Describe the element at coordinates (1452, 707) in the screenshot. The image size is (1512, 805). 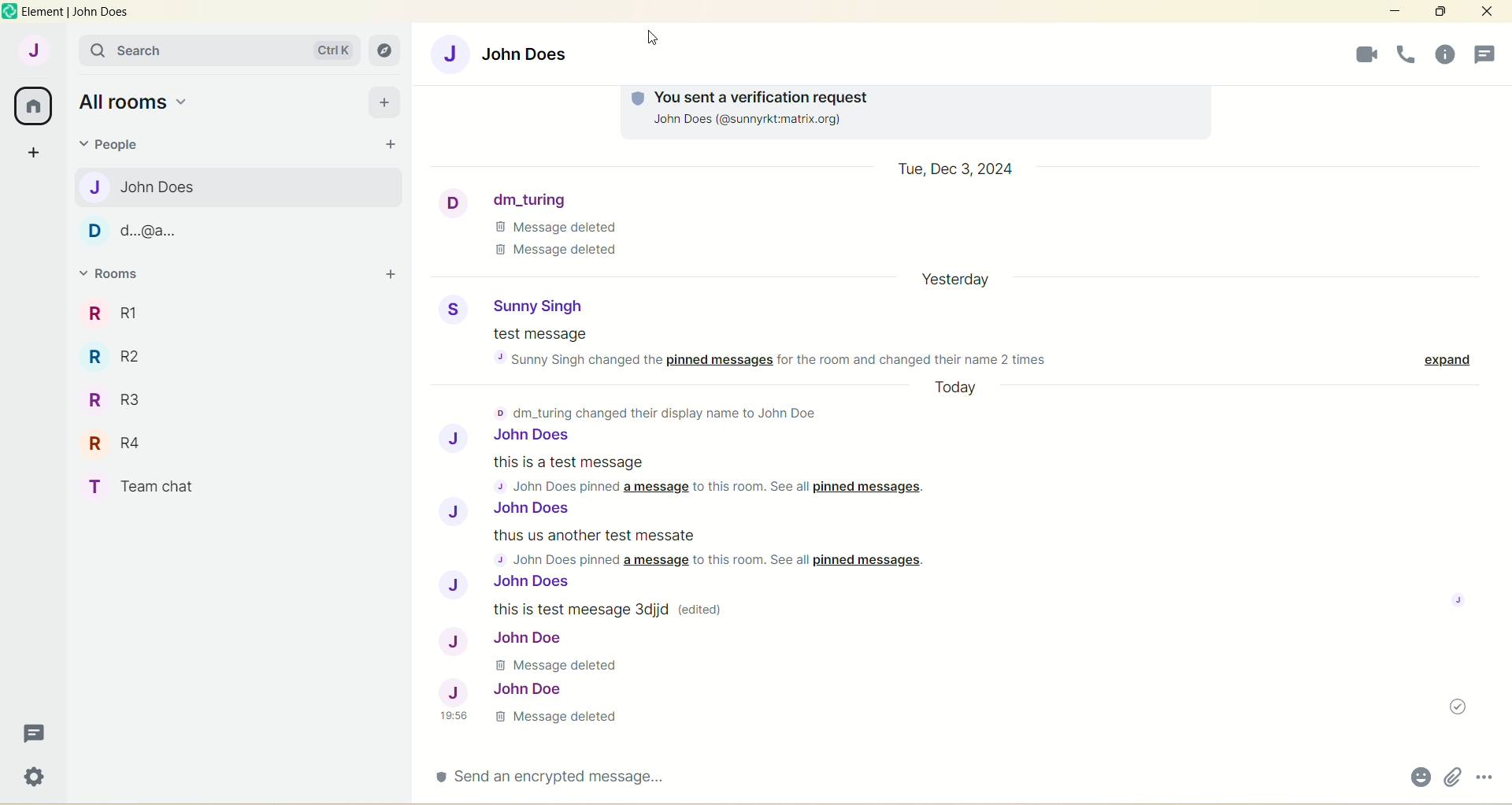
I see `message sent` at that location.